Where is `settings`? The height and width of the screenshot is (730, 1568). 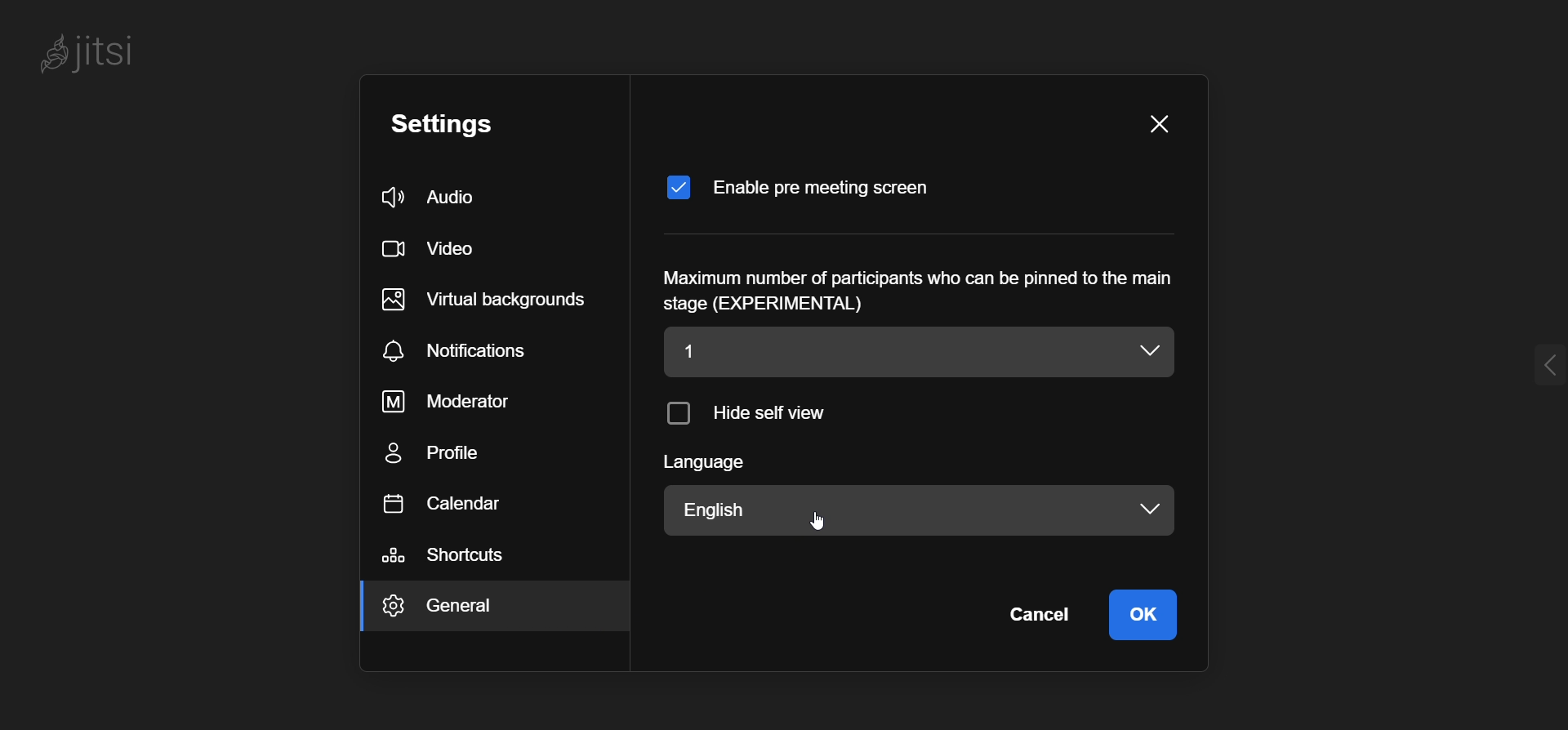
settings is located at coordinates (460, 123).